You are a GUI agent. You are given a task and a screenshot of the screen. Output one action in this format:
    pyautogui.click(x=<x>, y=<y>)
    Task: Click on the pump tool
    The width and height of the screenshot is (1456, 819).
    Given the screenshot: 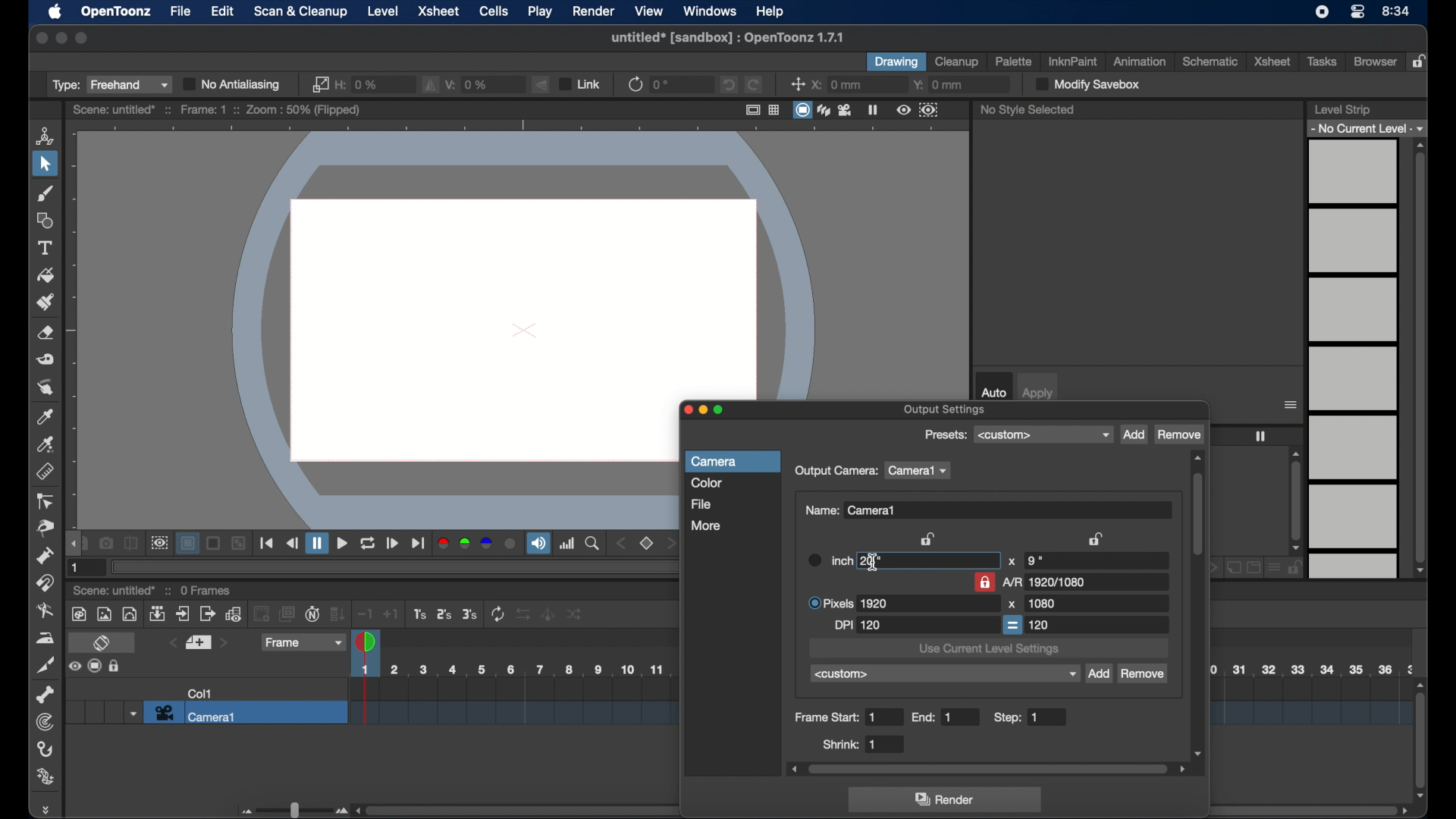 What is the action you would take?
    pyautogui.click(x=42, y=555)
    